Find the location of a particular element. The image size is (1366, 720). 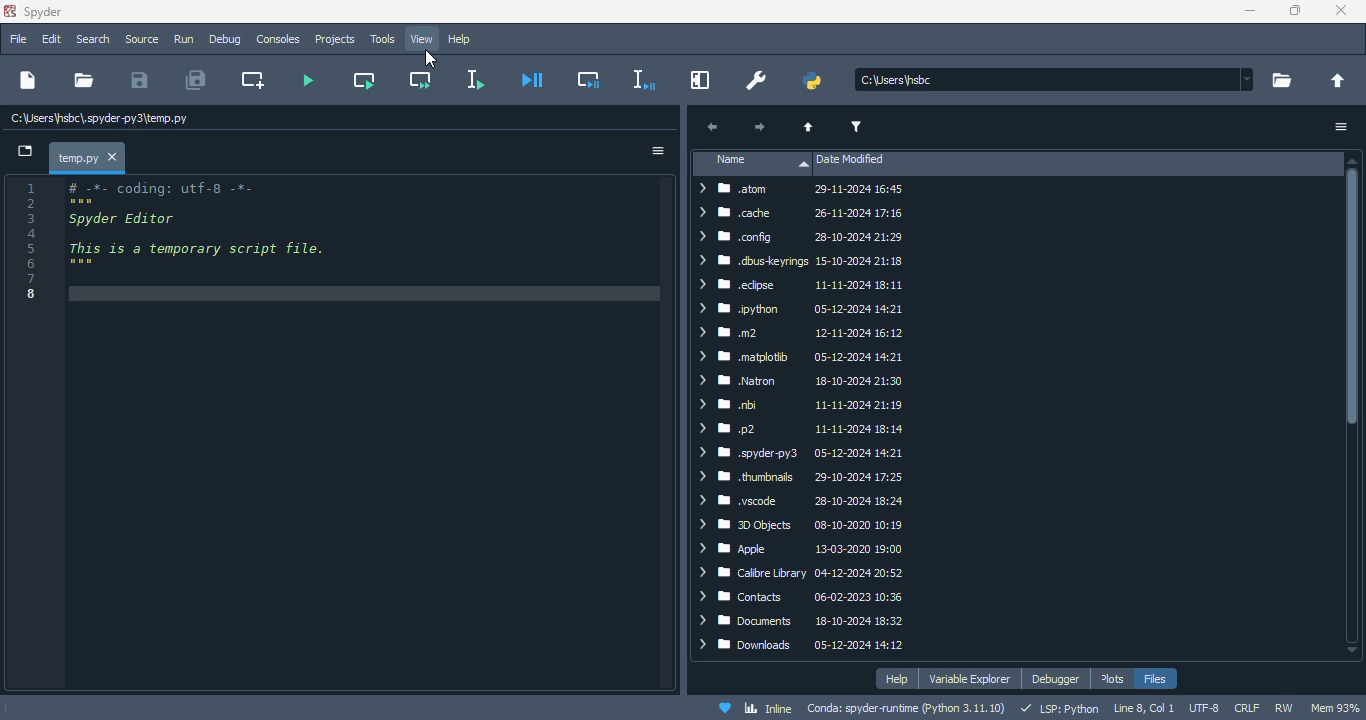

Natron is located at coordinates (800, 381).